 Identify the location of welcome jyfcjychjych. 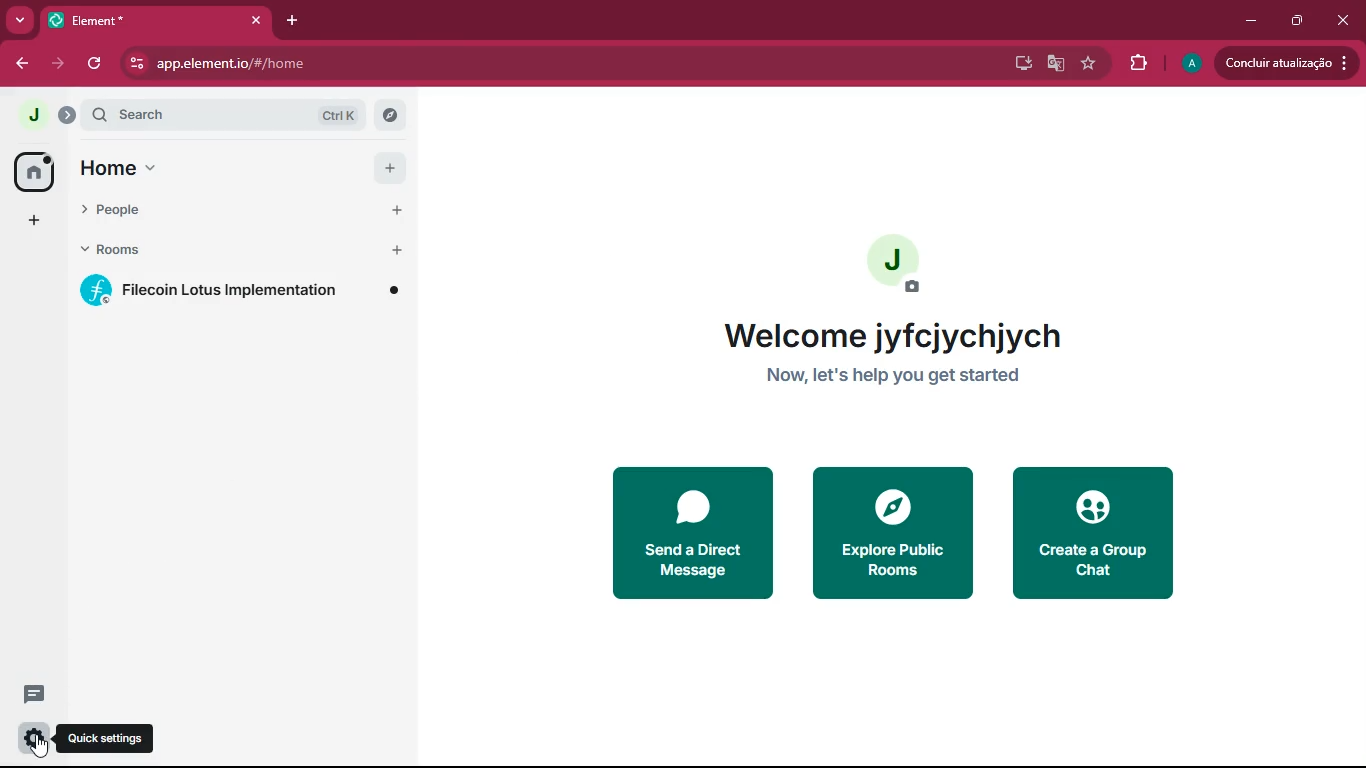
(900, 334).